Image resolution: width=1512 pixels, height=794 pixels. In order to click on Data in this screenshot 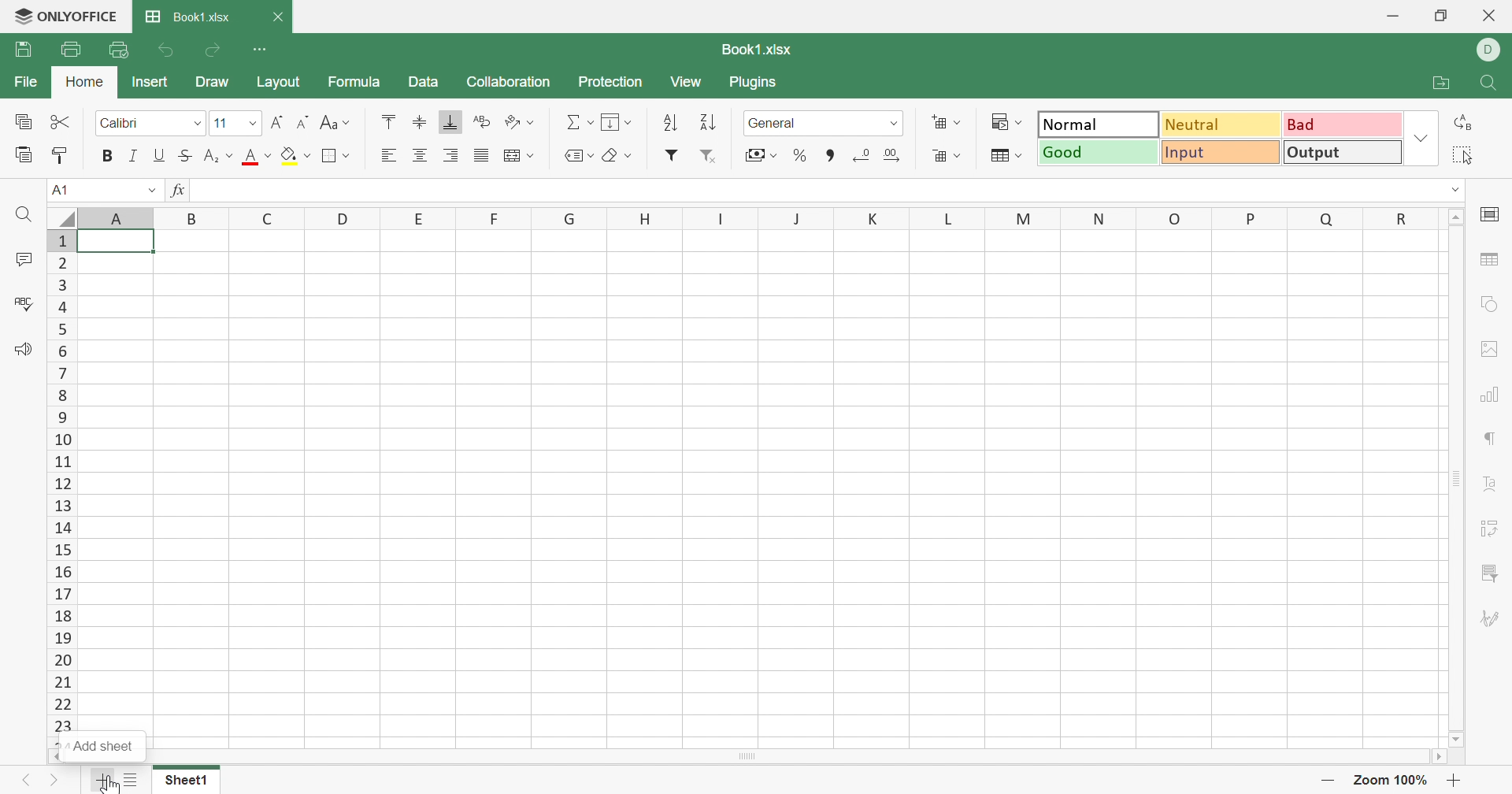, I will do `click(421, 80)`.